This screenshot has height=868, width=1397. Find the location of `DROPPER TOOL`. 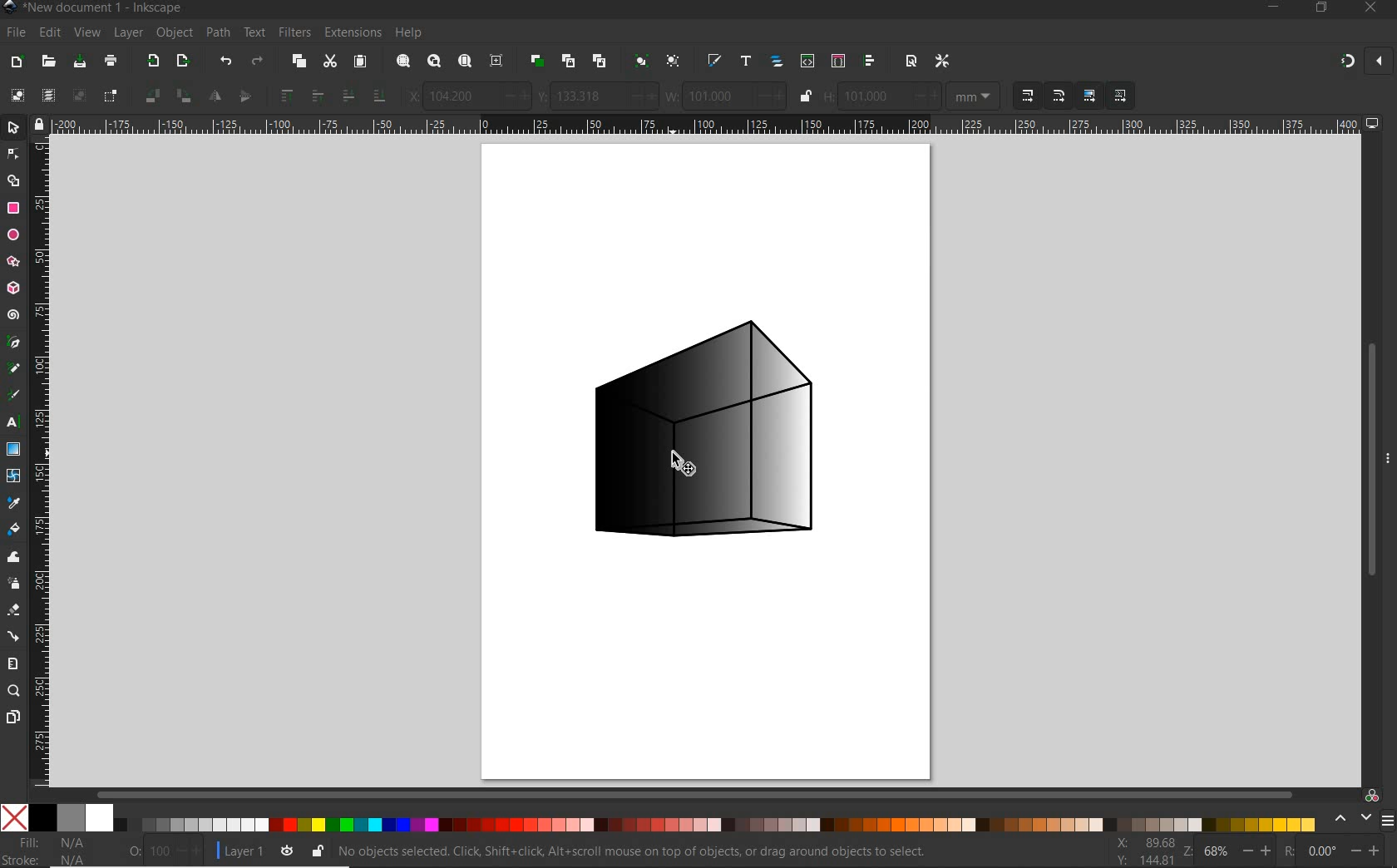

DROPPER TOOL is located at coordinates (13, 503).